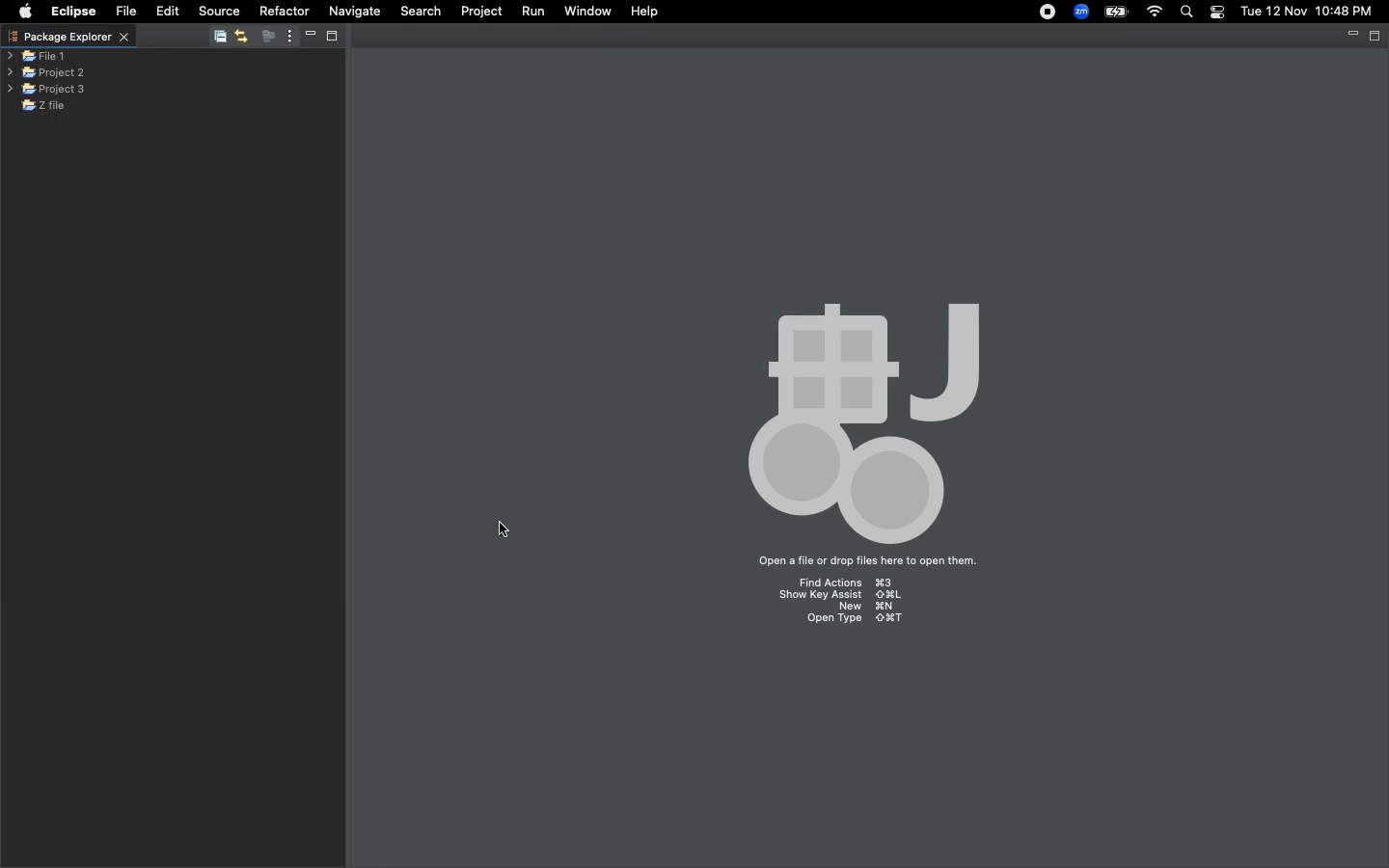  Describe the element at coordinates (56, 105) in the screenshot. I see `Z file` at that location.